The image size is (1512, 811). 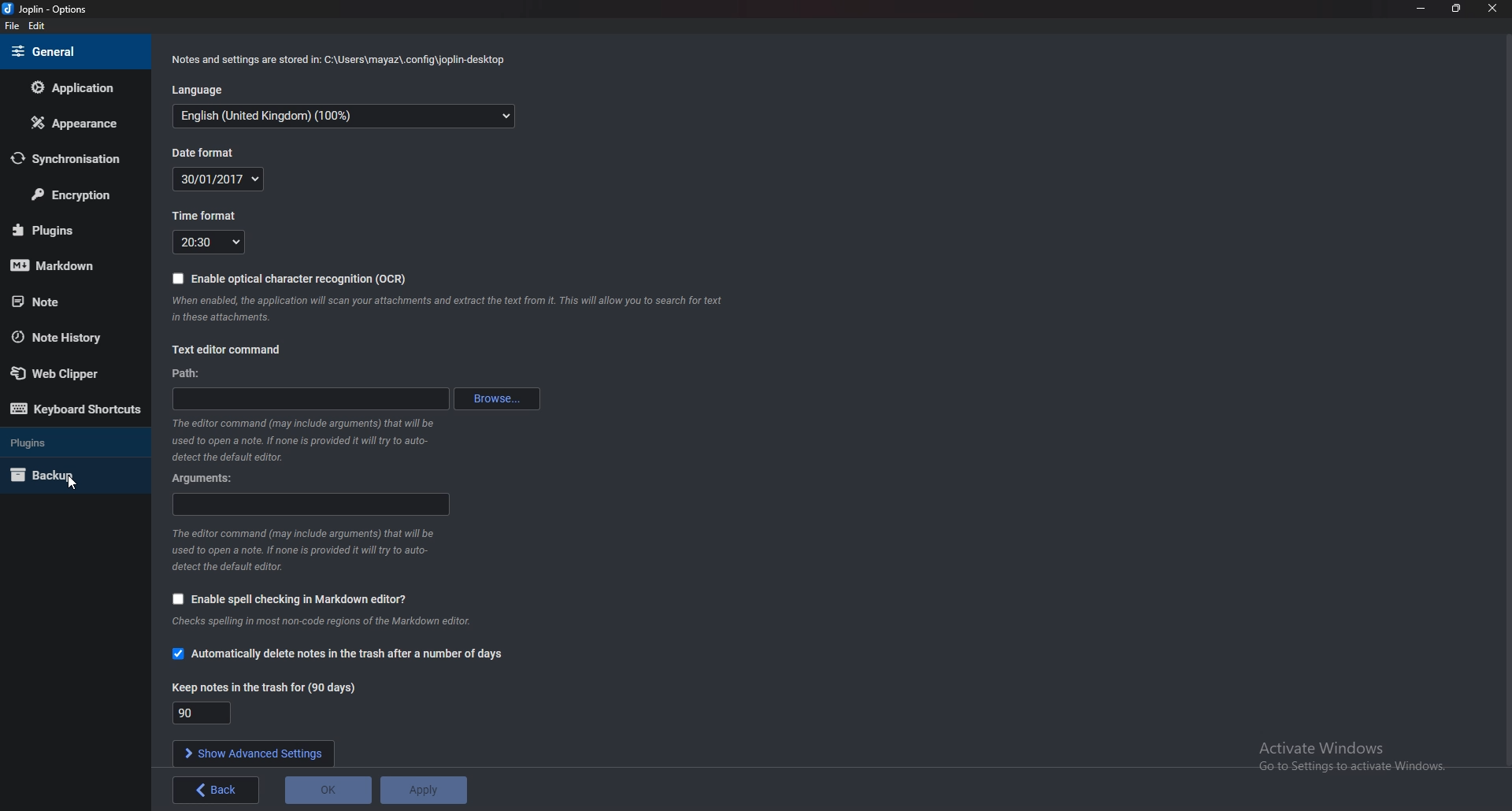 I want to click on back, so click(x=217, y=790).